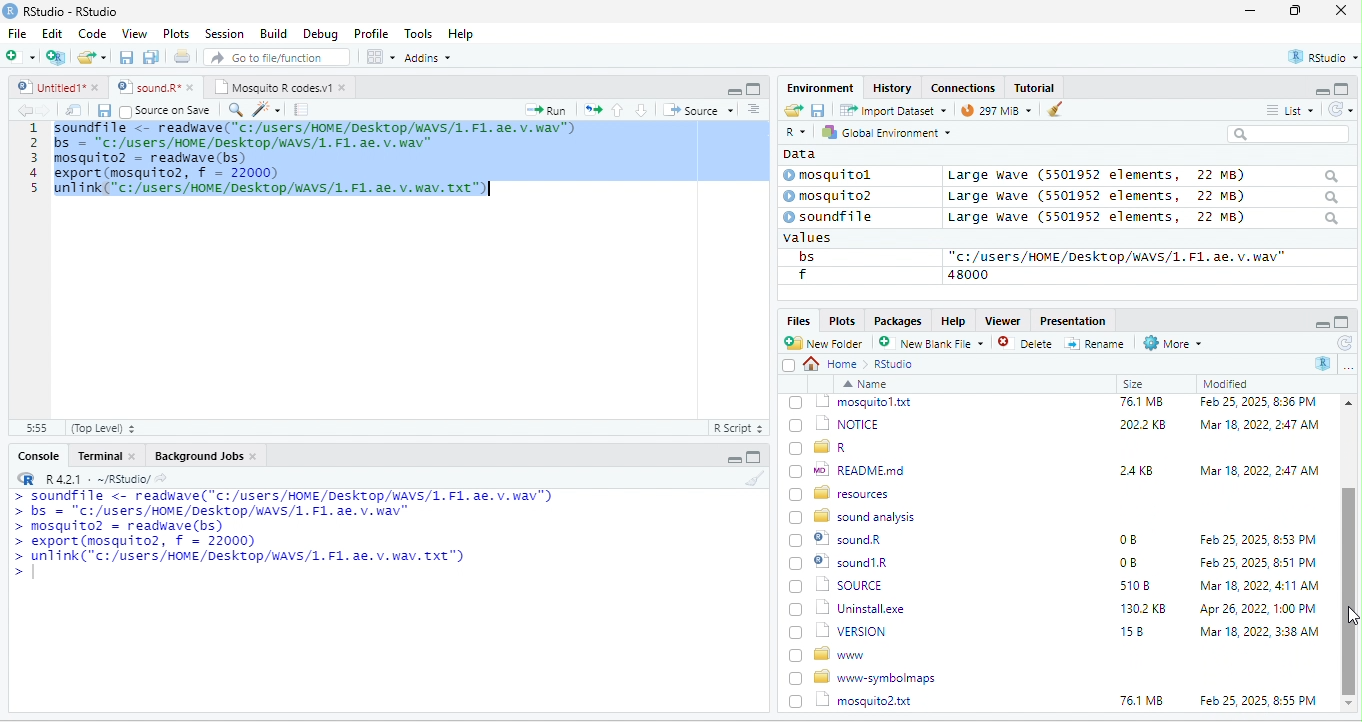 This screenshot has width=1362, height=722. I want to click on Size, so click(1134, 385).